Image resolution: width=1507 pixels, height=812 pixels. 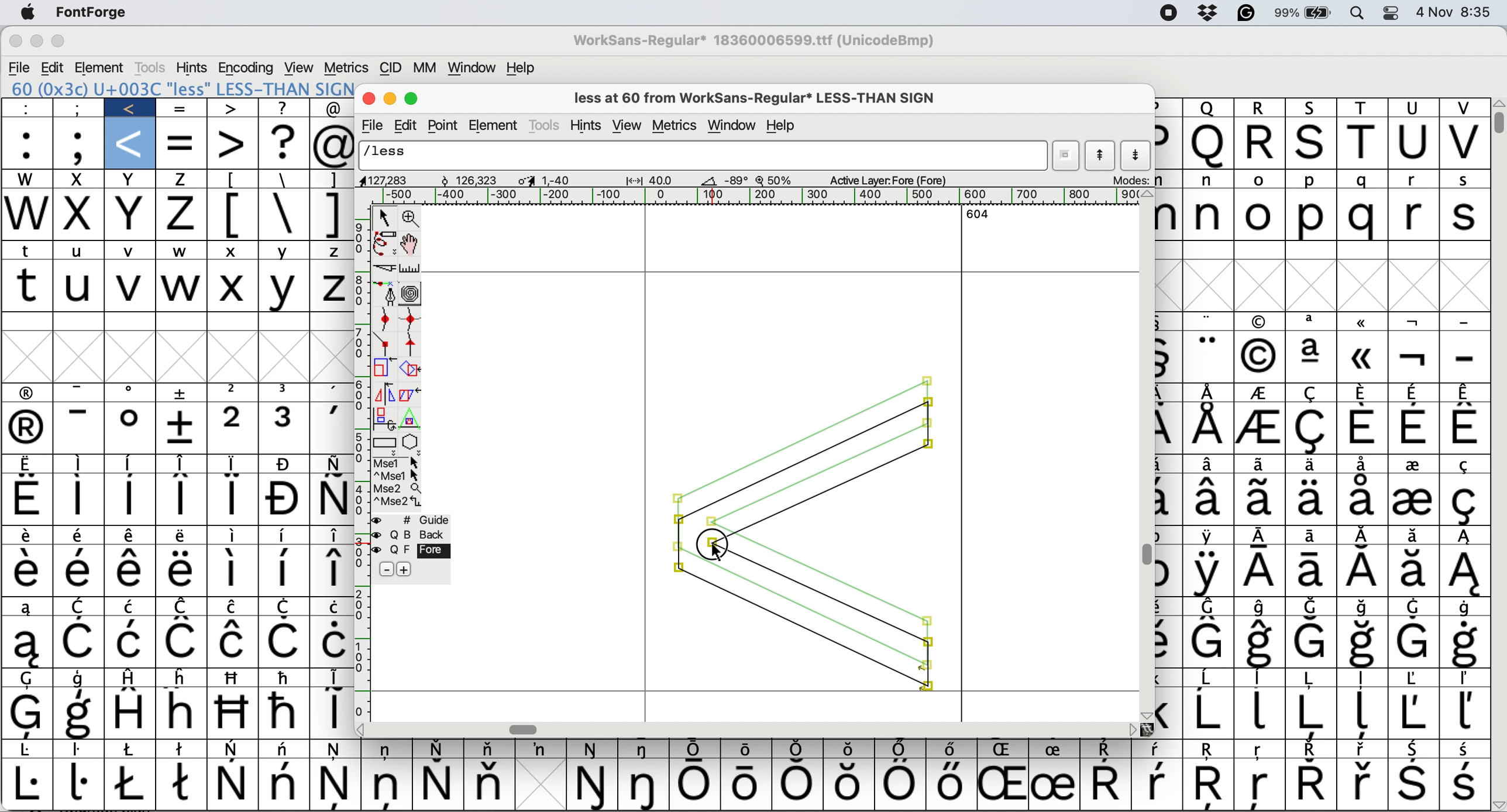 What do you see at coordinates (1260, 787) in the screenshot?
I see `Symbol` at bounding box center [1260, 787].